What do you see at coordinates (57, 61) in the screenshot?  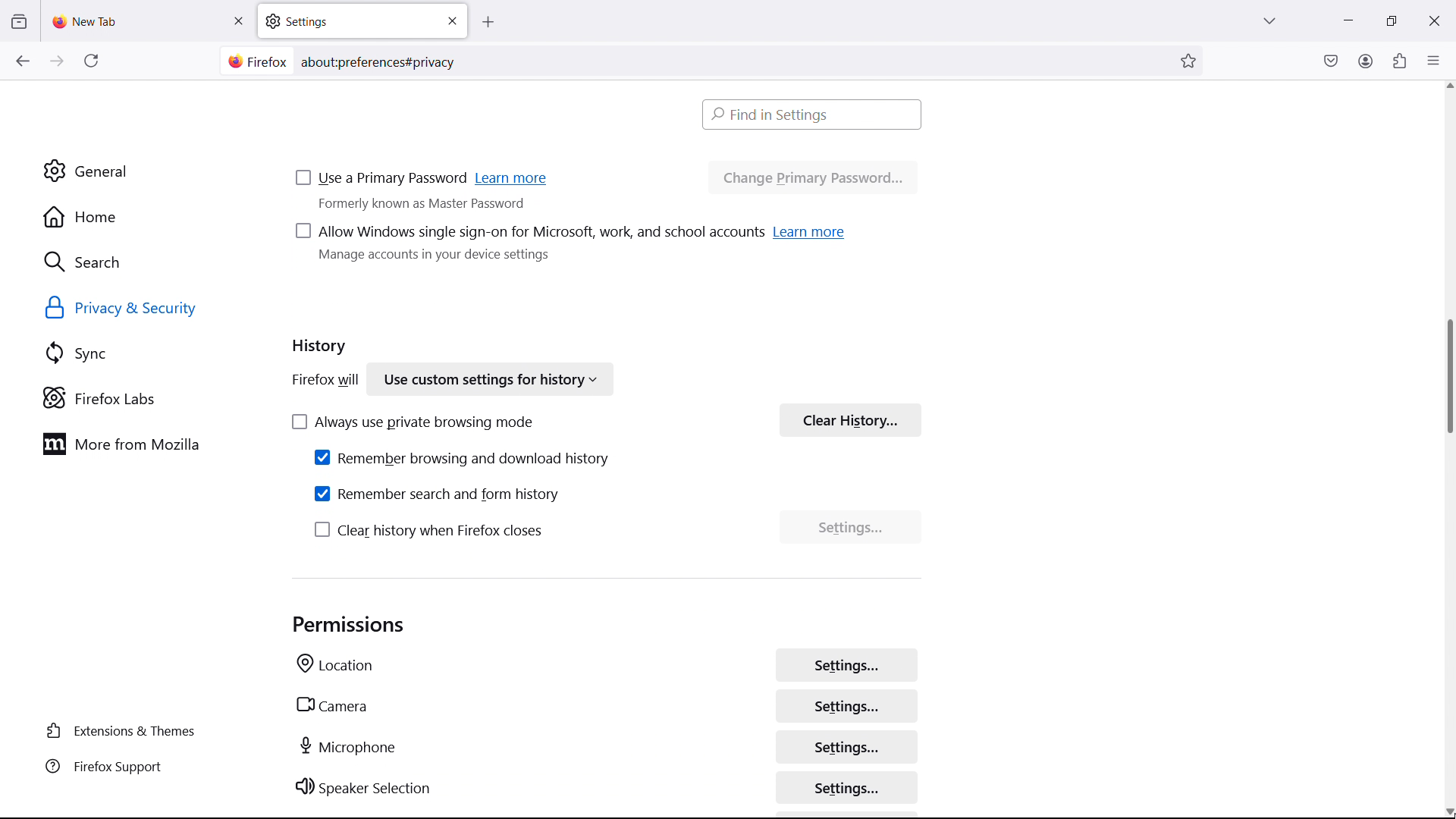 I see `go forward one page, right click or pull down to show history` at bounding box center [57, 61].